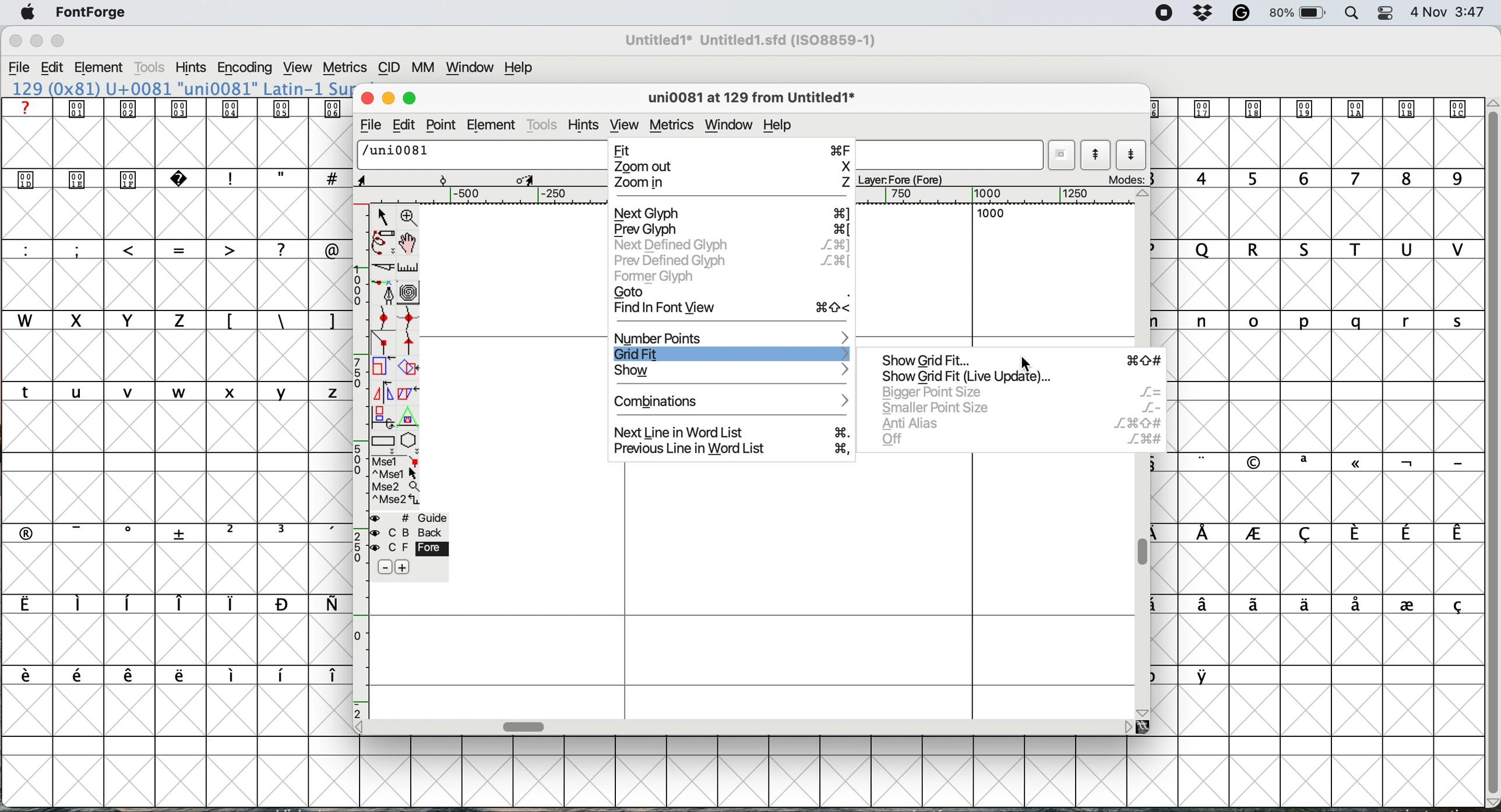 The height and width of the screenshot is (812, 1501). What do you see at coordinates (936, 361) in the screenshot?
I see `show grid fit` at bounding box center [936, 361].